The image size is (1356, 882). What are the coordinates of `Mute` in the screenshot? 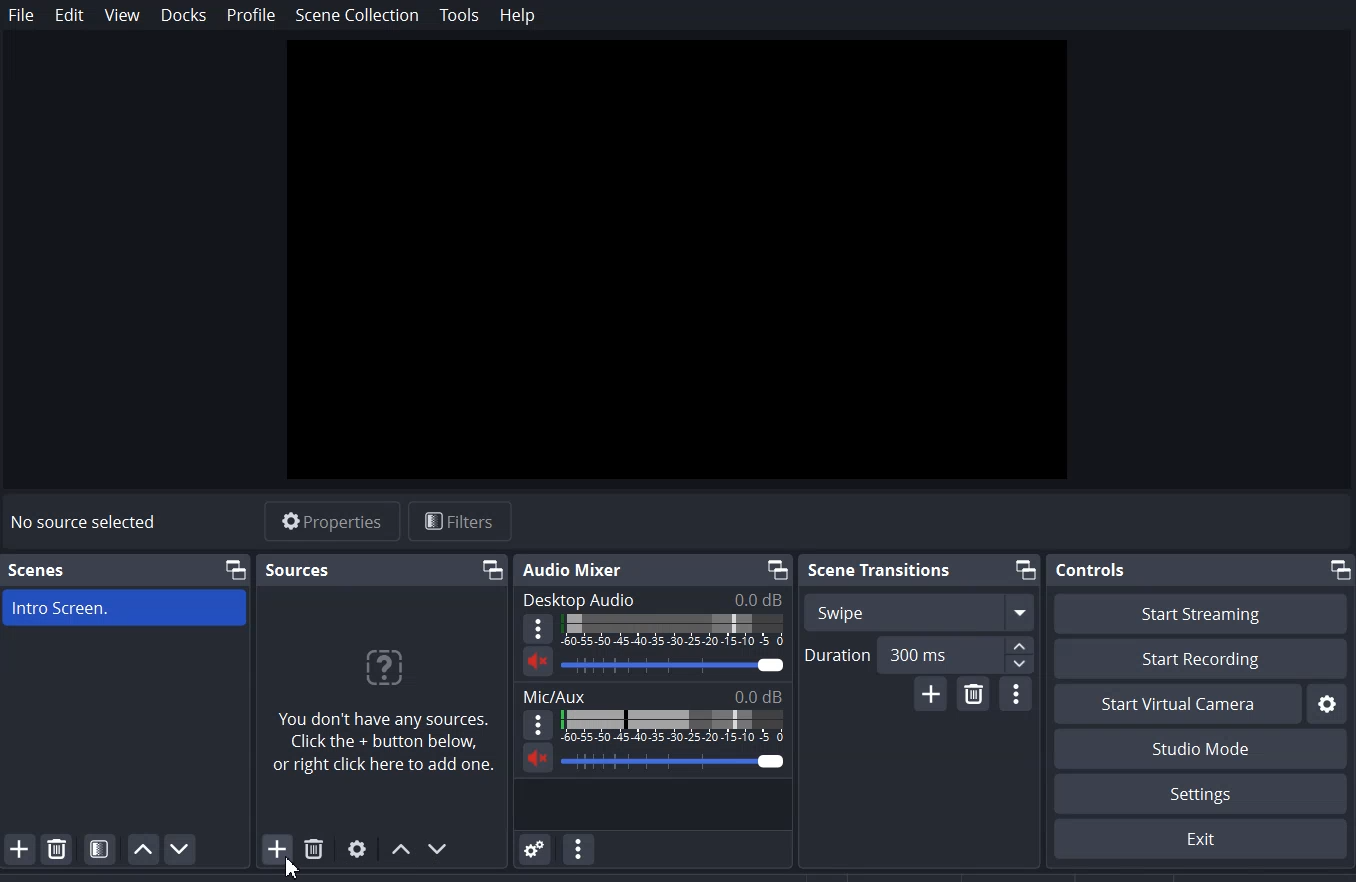 It's located at (539, 760).